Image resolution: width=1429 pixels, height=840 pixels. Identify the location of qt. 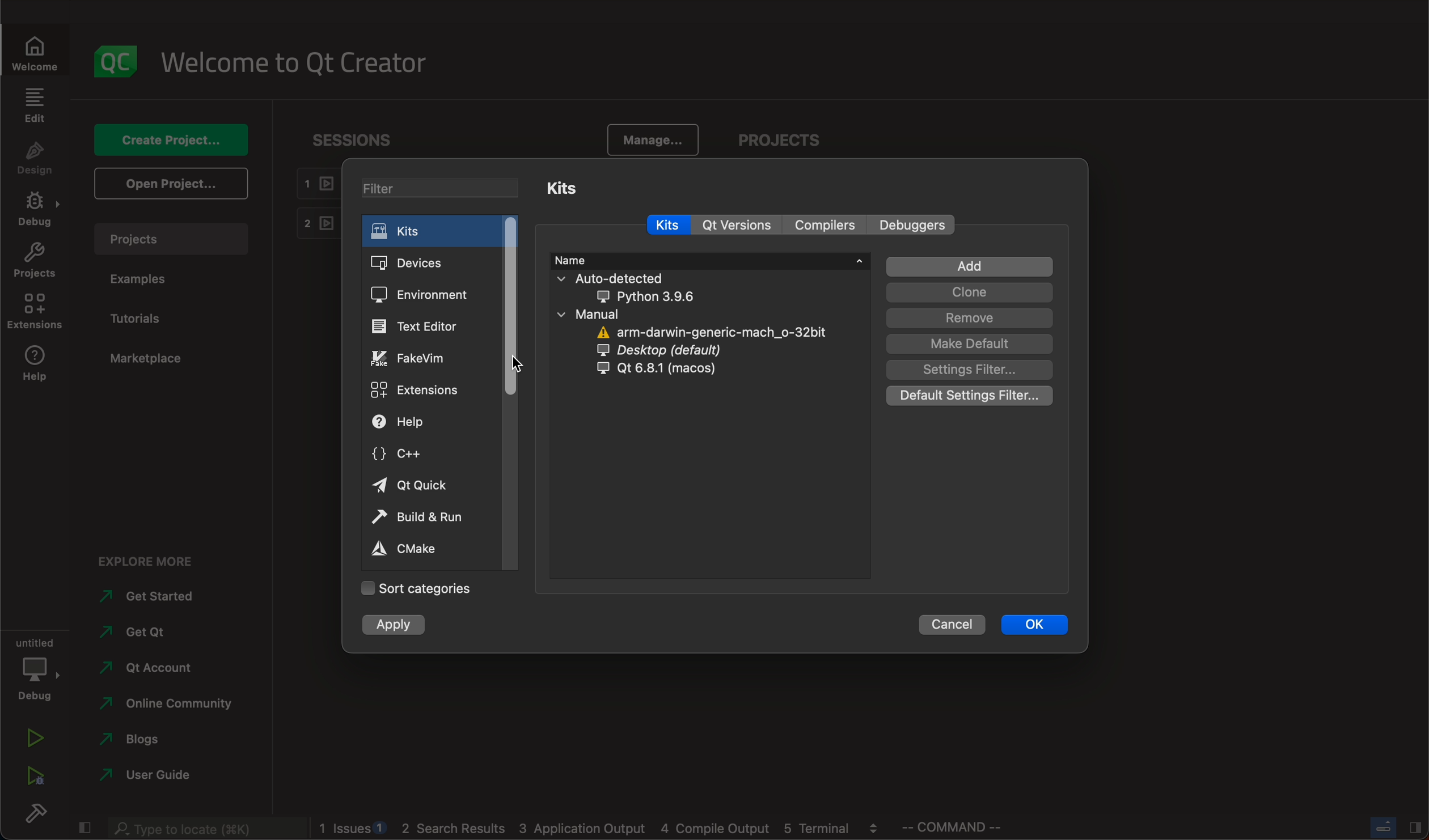
(736, 225).